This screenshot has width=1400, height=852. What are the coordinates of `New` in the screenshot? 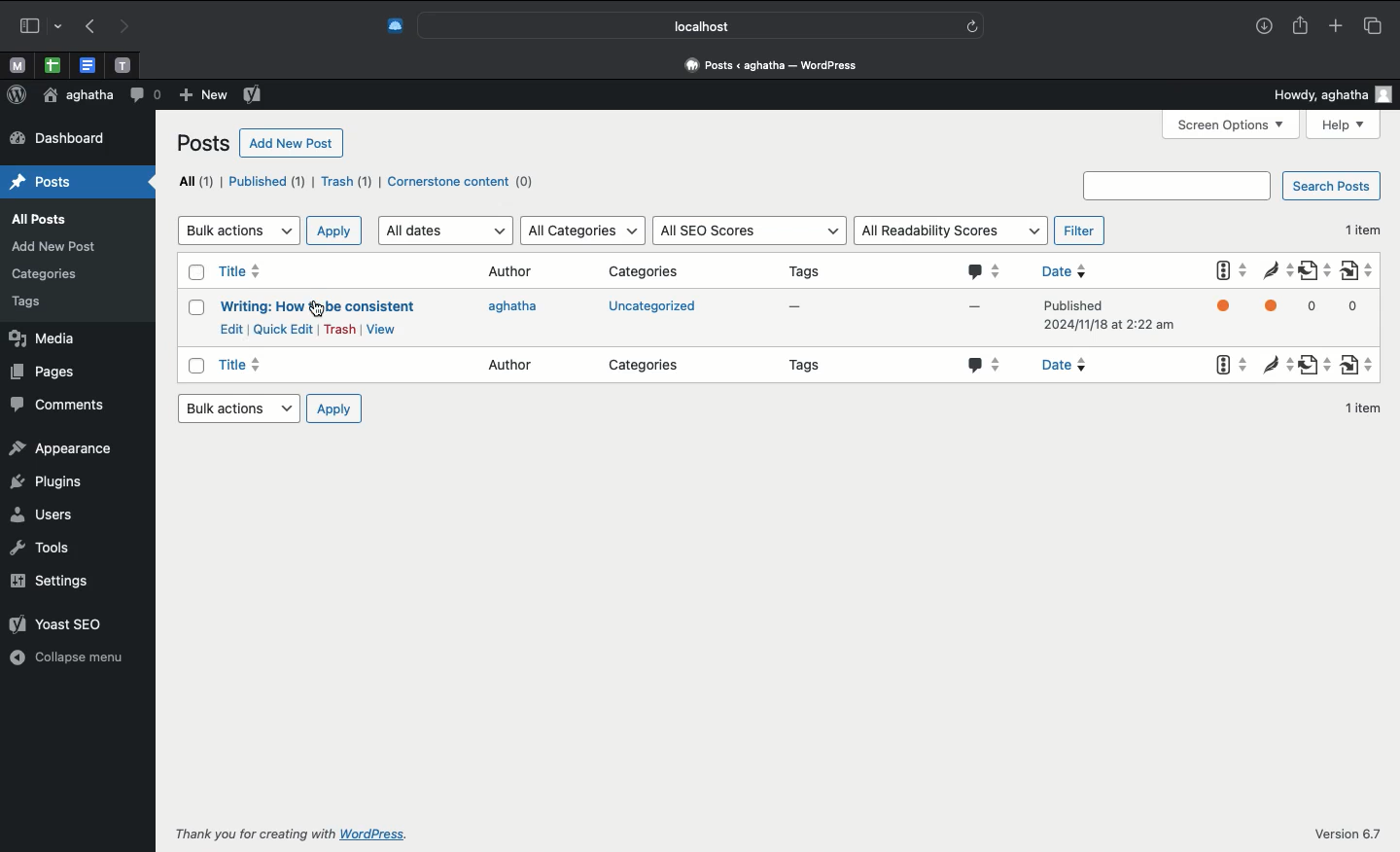 It's located at (201, 95).